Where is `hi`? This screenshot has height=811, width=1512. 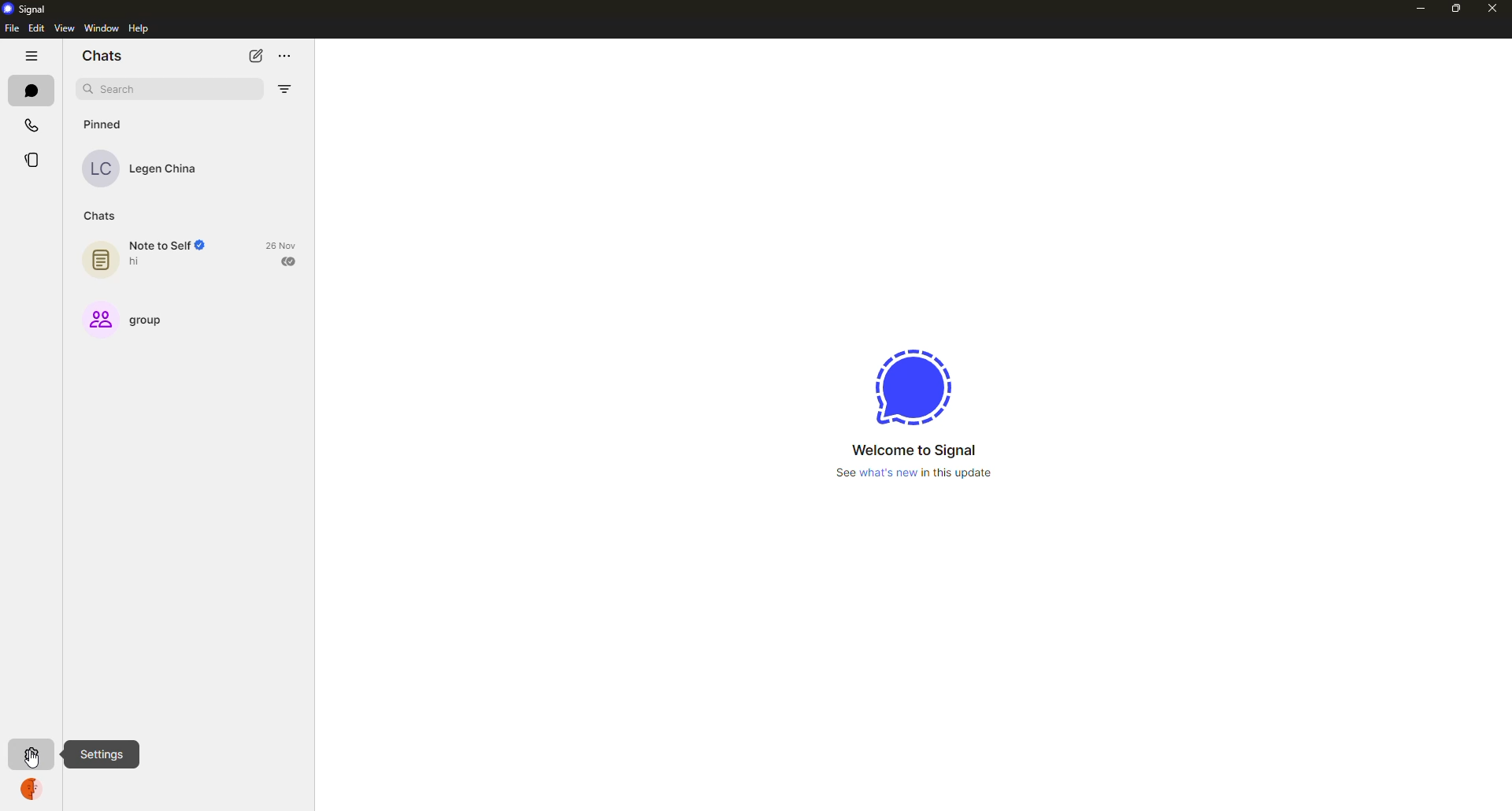
hi is located at coordinates (139, 262).